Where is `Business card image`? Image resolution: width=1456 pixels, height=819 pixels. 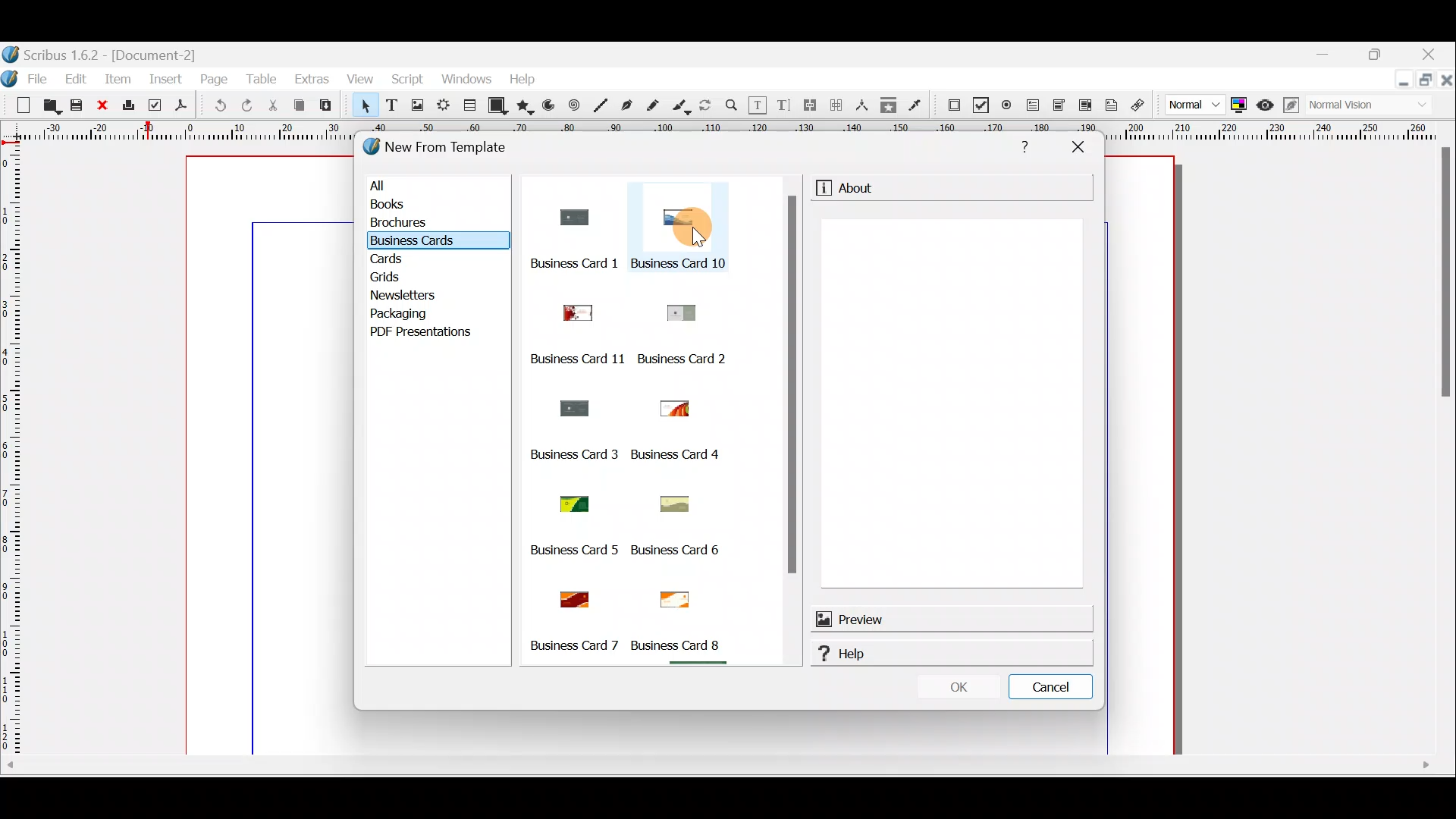
Business card image is located at coordinates (664, 504).